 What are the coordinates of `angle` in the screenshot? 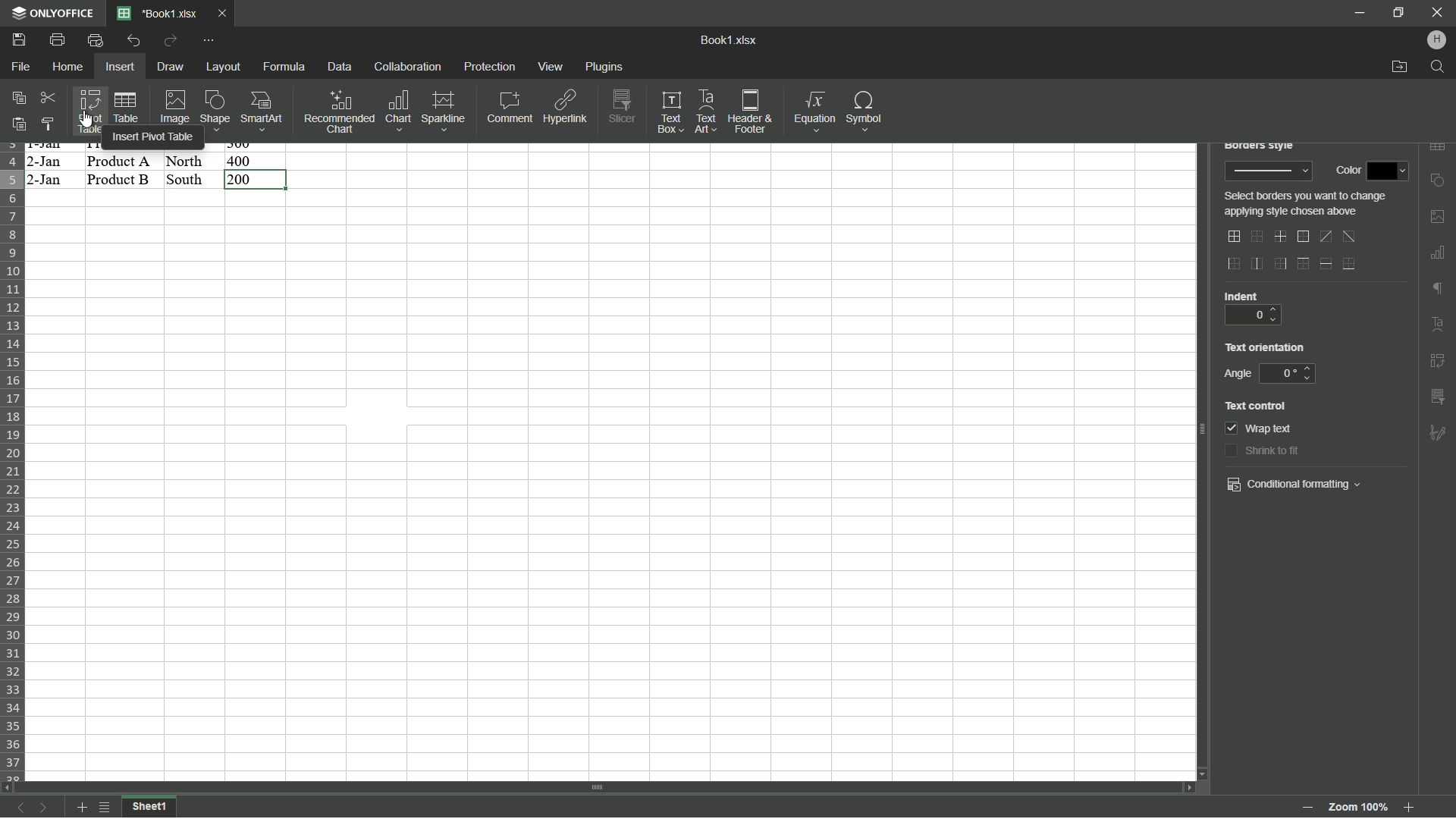 It's located at (1240, 375).